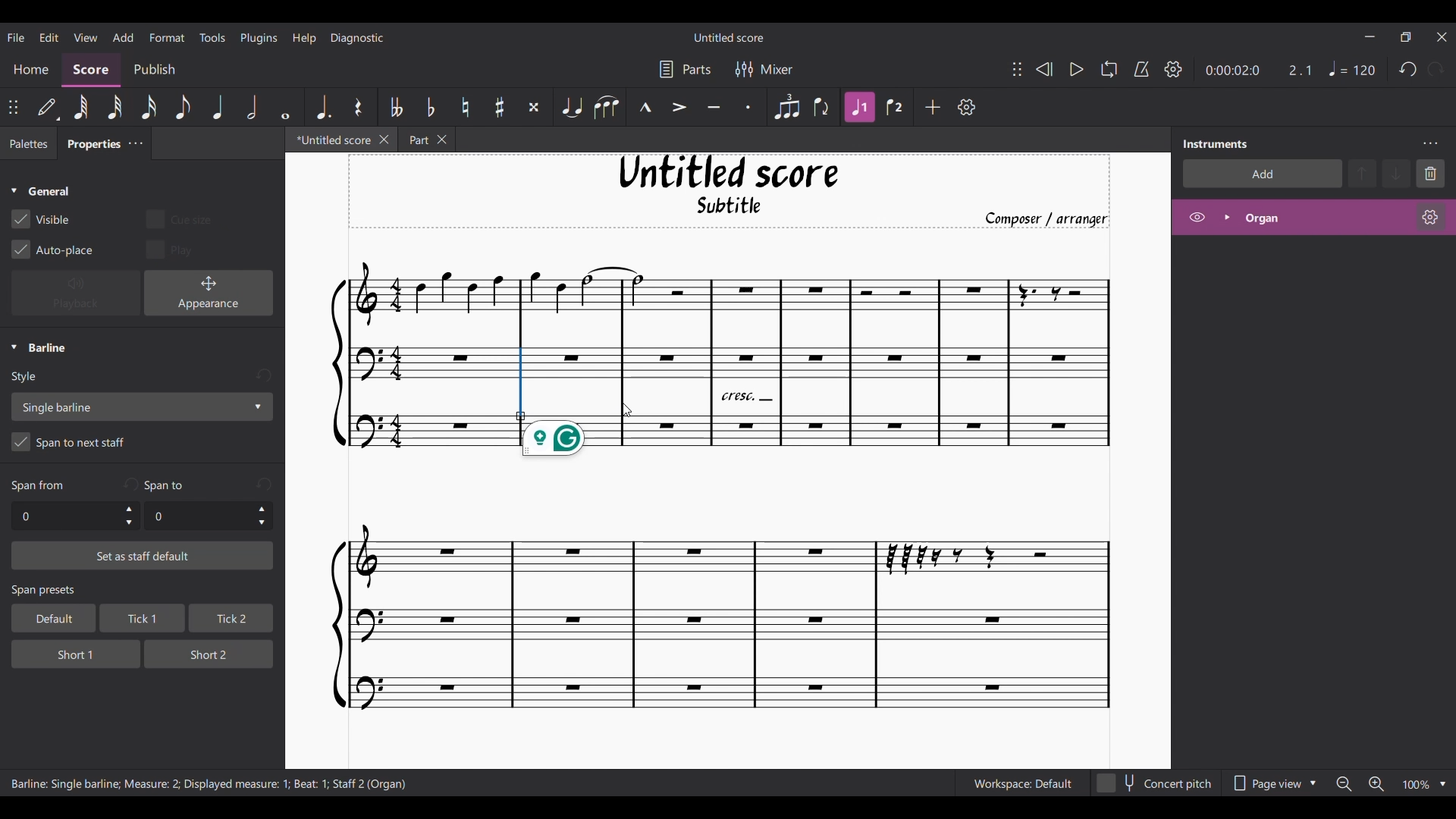 This screenshot has height=819, width=1456. Describe the element at coordinates (89, 146) in the screenshot. I see `Properties tab, current selection` at that location.